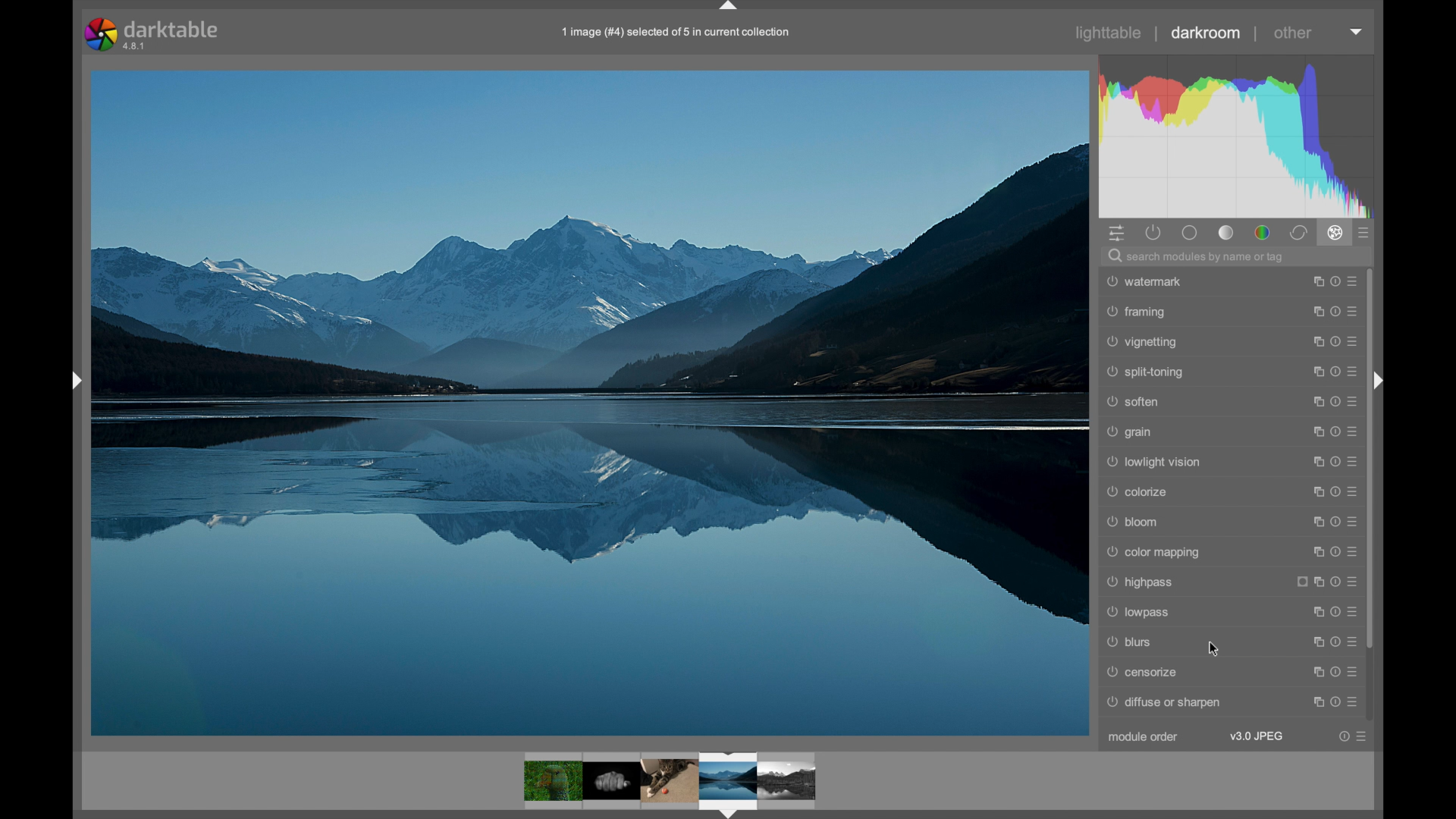 The image size is (1456, 819). What do you see at coordinates (1216, 649) in the screenshot?
I see `cursor` at bounding box center [1216, 649].